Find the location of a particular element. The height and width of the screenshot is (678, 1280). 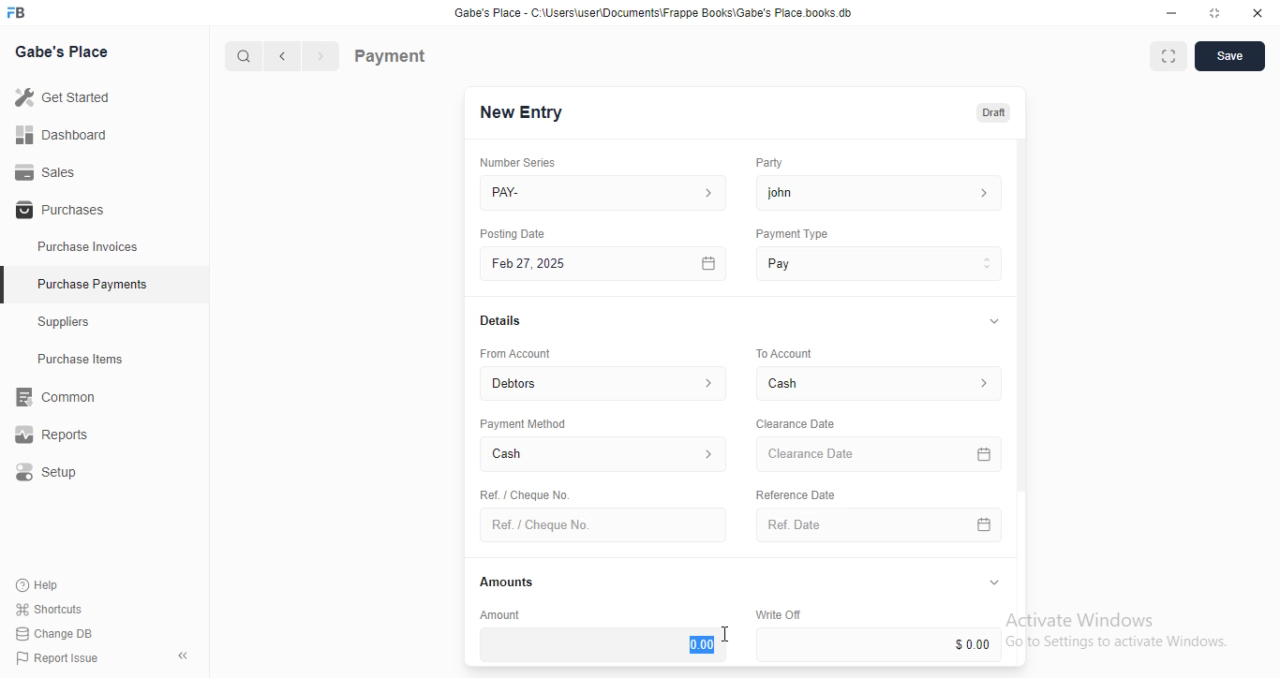

0.00 is located at coordinates (603, 644).